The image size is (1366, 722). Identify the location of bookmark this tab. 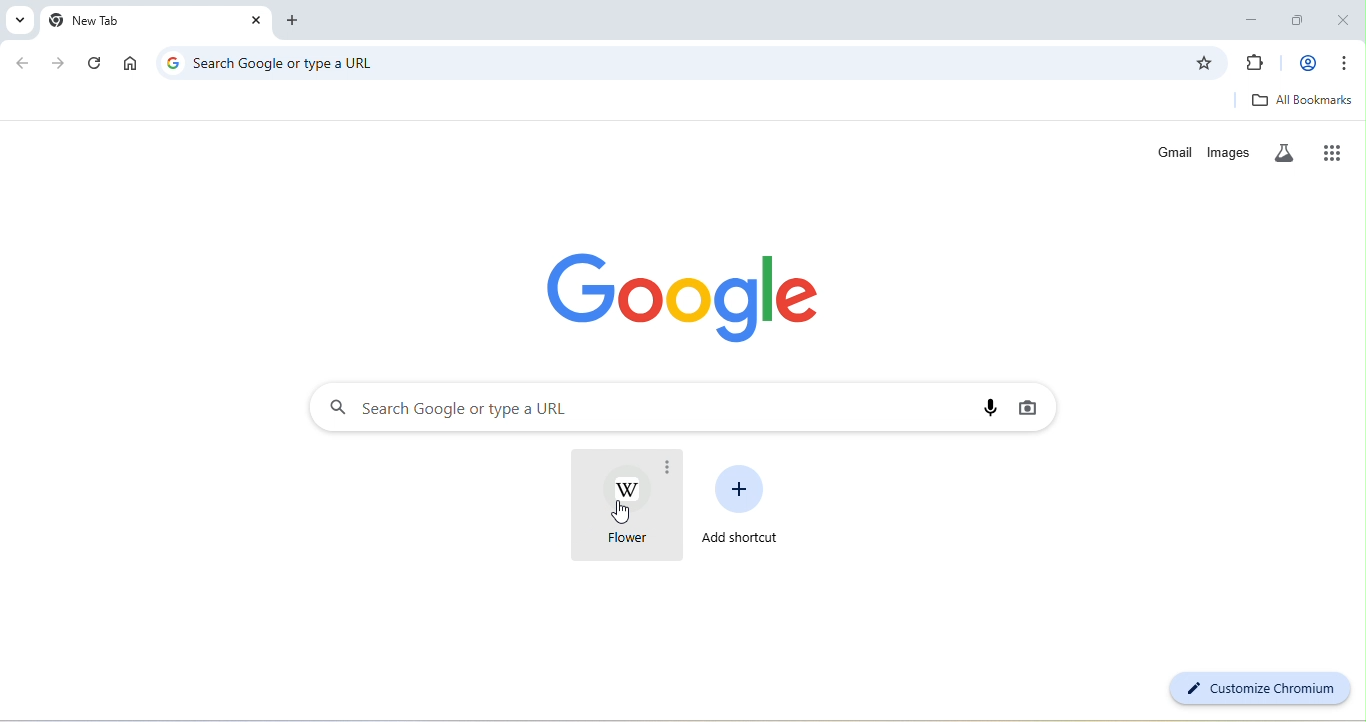
(1204, 63).